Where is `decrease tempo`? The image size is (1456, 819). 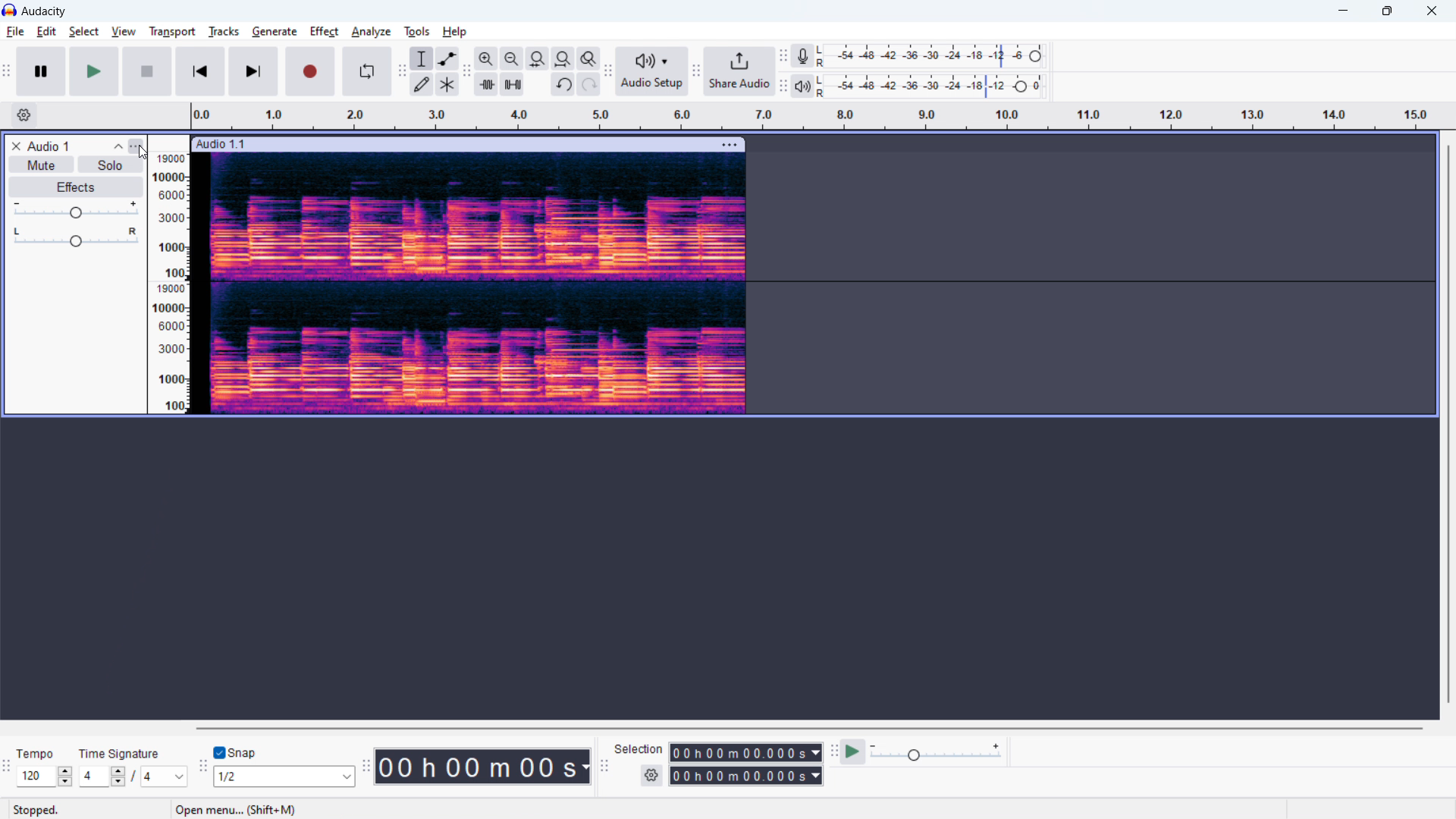 decrease tempo is located at coordinates (65, 783).